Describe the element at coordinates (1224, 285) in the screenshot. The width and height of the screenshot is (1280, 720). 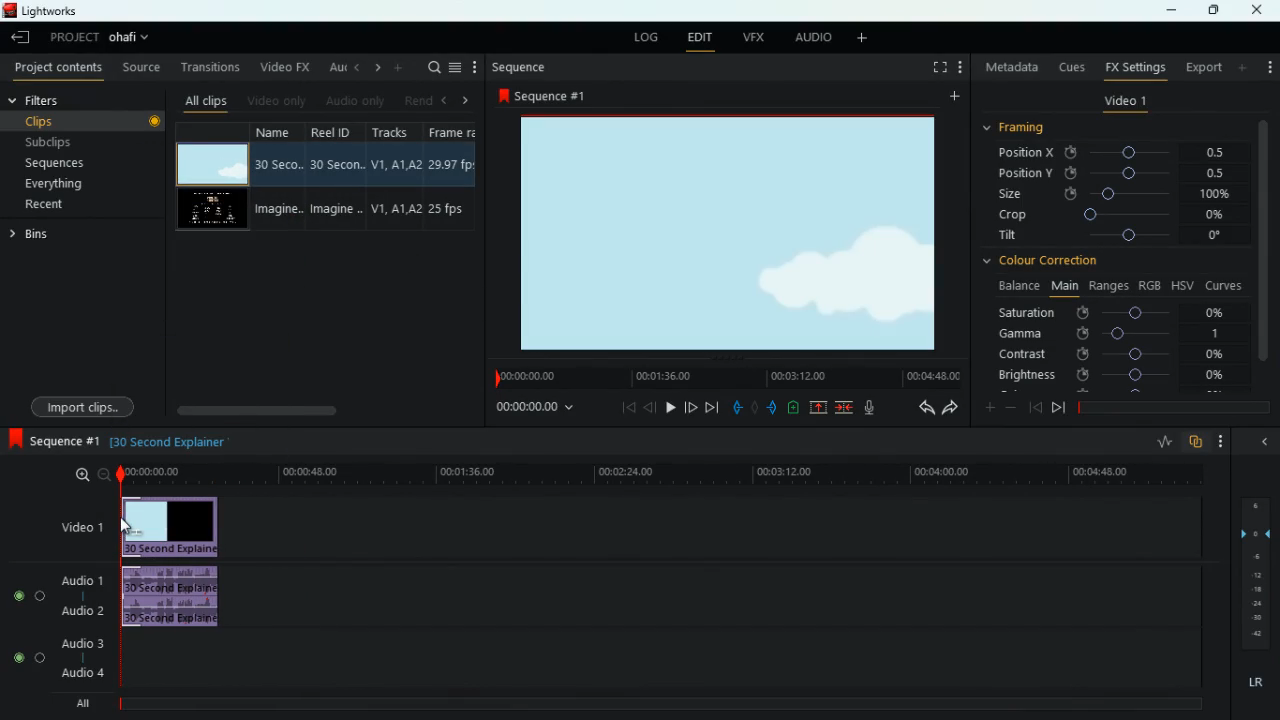
I see `curves` at that location.